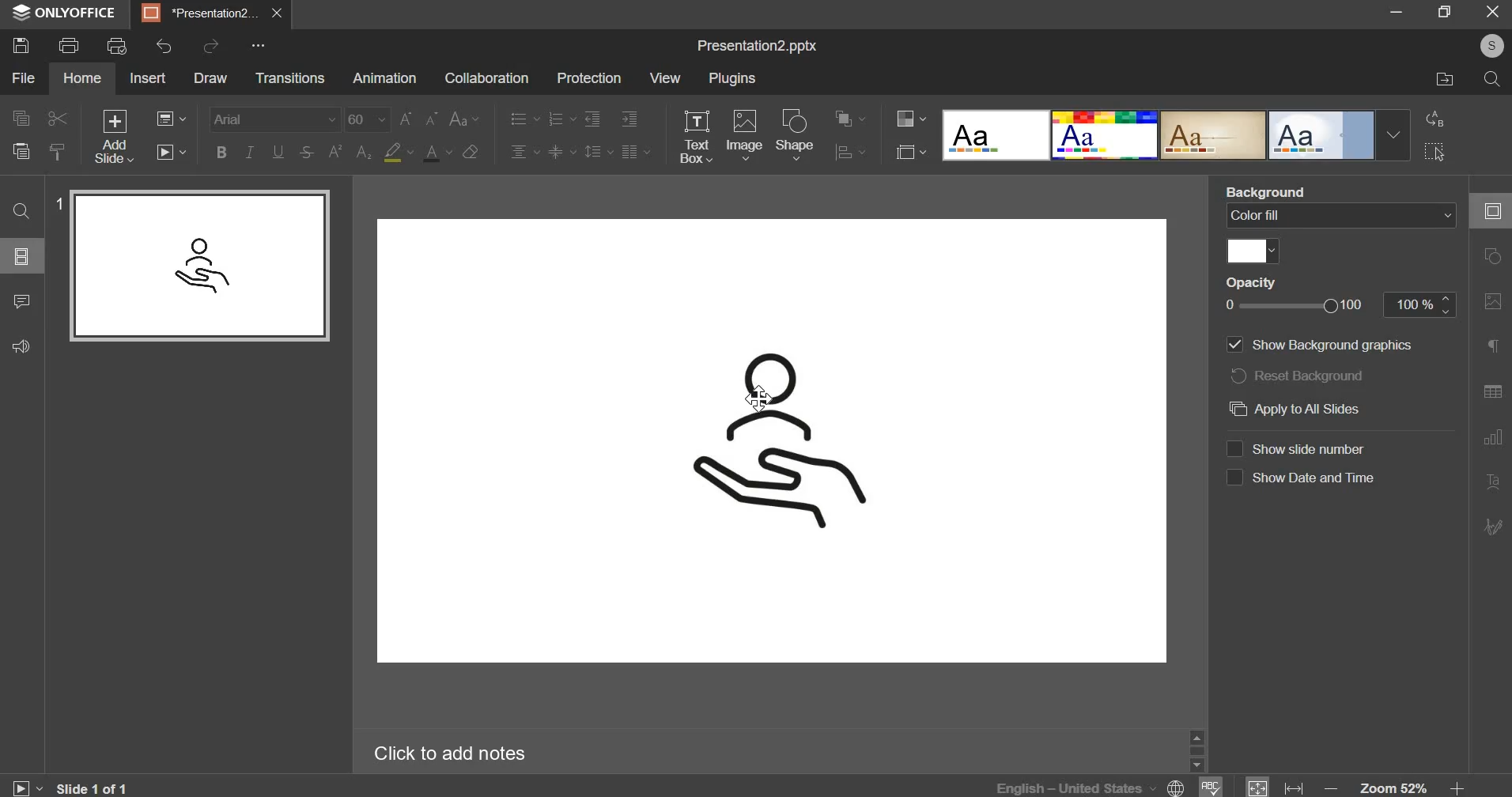  I want to click on minimize, so click(1397, 12).